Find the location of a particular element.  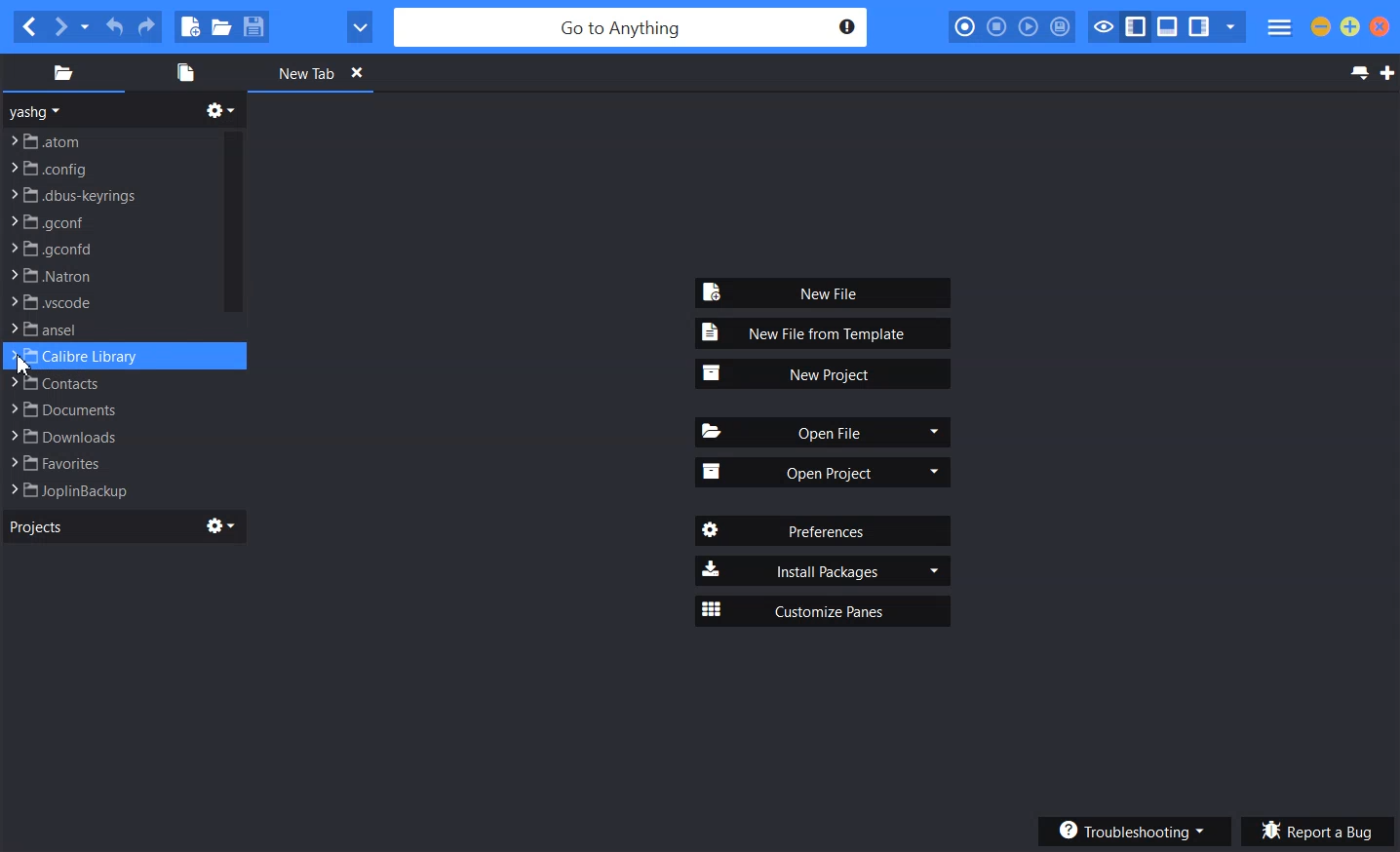

Projects is located at coordinates (35, 525).